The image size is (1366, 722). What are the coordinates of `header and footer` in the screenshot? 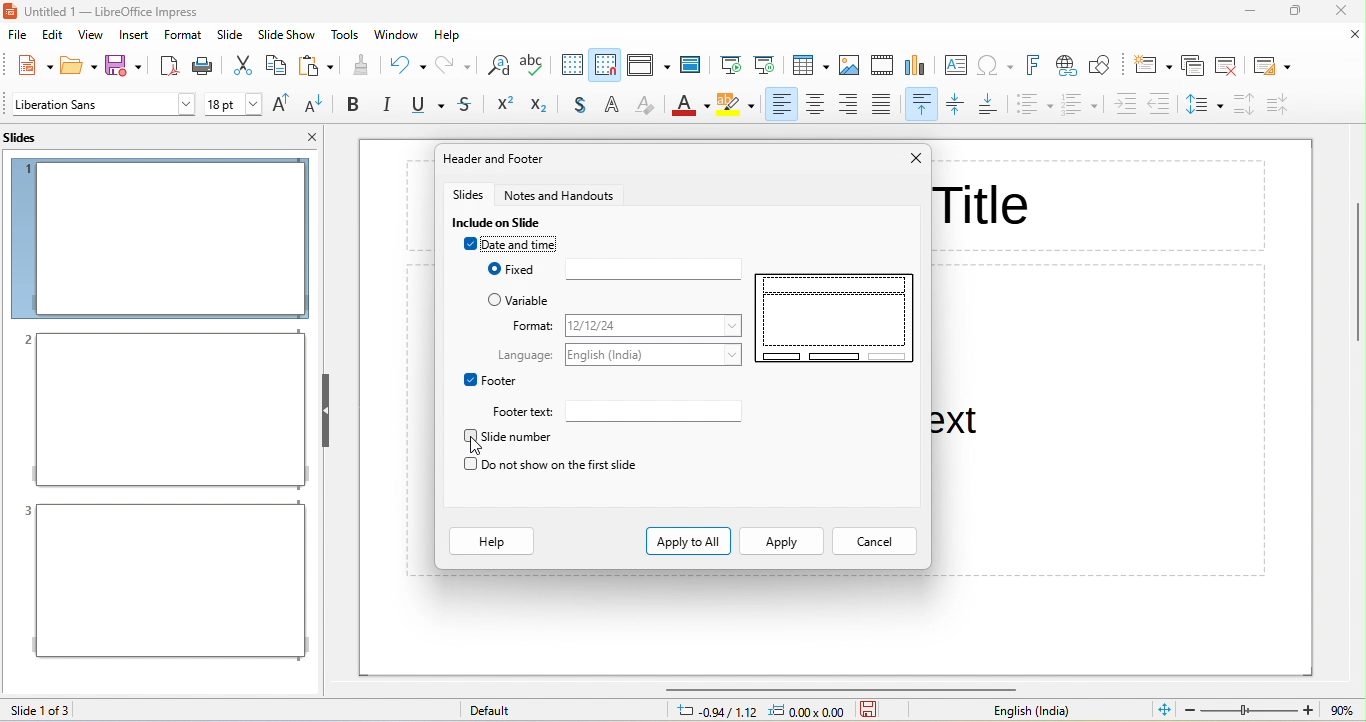 It's located at (508, 160).